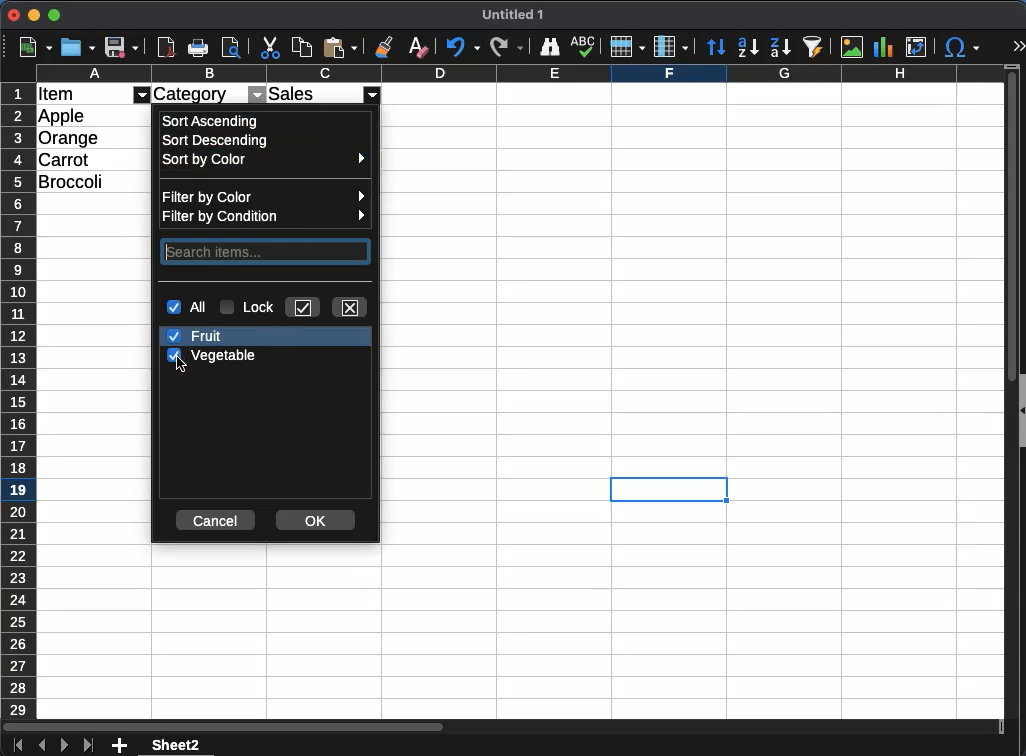  What do you see at coordinates (70, 137) in the screenshot?
I see `orange` at bounding box center [70, 137].